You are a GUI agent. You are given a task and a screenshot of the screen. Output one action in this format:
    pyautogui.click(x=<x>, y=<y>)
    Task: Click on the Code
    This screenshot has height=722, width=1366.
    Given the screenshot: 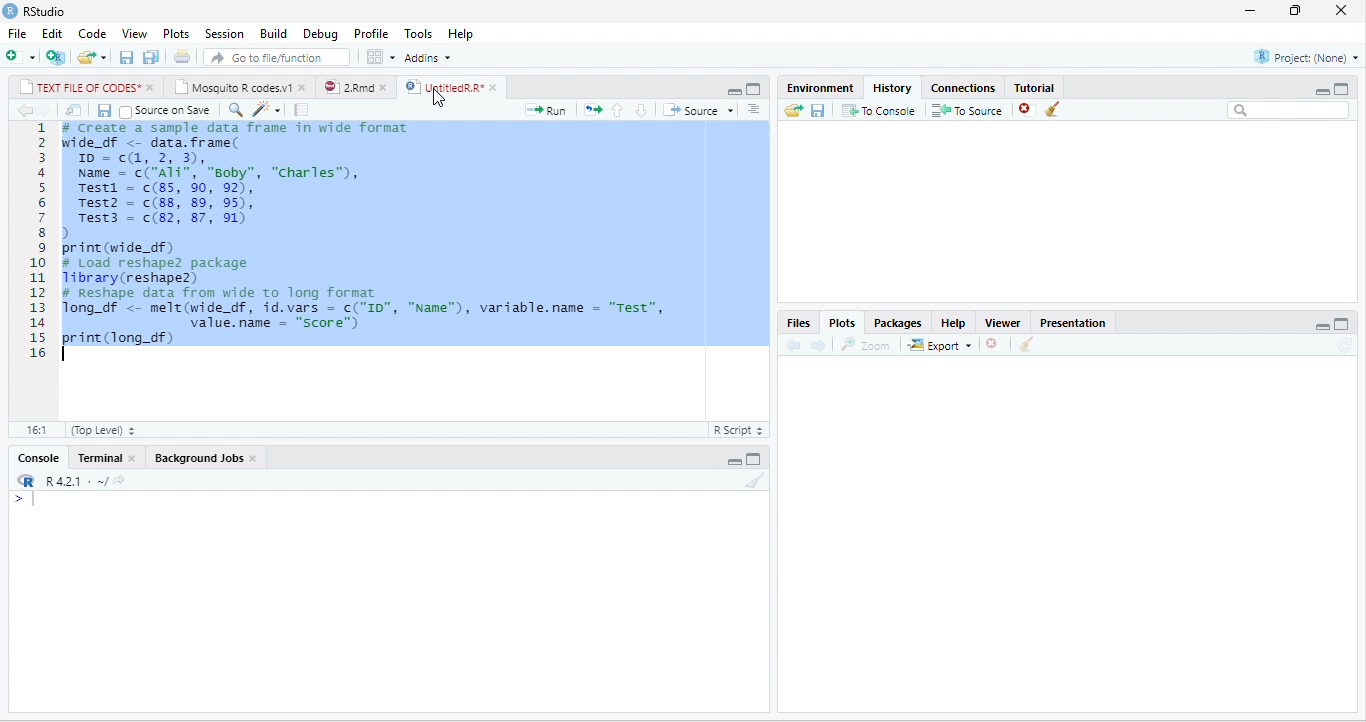 What is the action you would take?
    pyautogui.click(x=92, y=34)
    